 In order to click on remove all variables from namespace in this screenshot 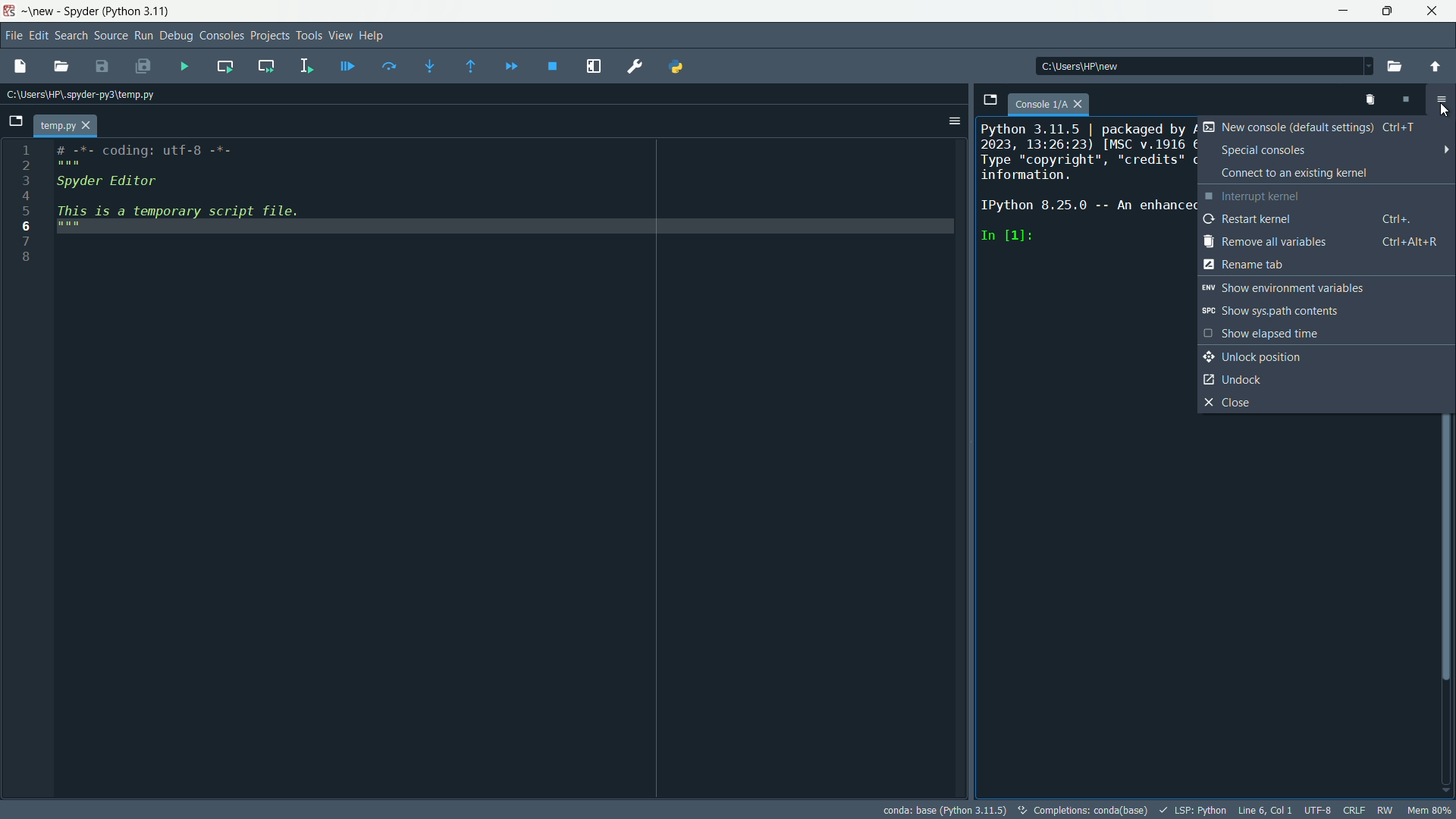, I will do `click(1373, 102)`.